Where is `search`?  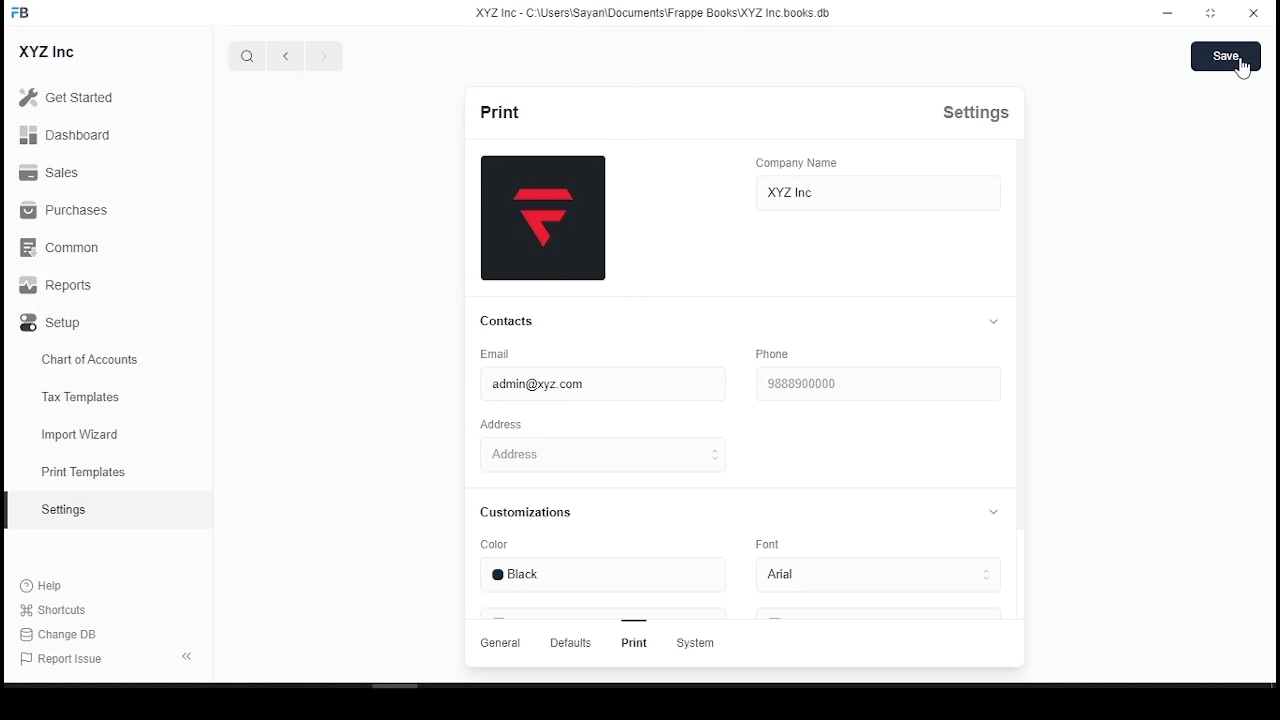 search is located at coordinates (245, 56).